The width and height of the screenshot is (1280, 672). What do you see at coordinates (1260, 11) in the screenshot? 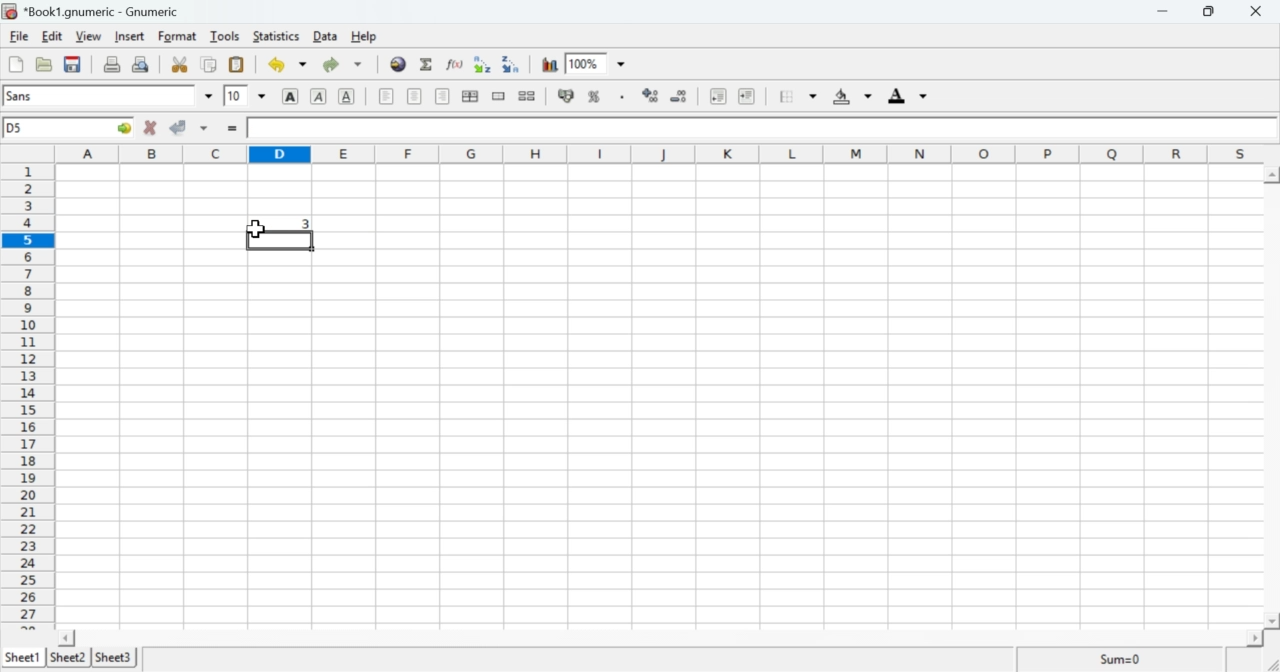
I see `close` at bounding box center [1260, 11].